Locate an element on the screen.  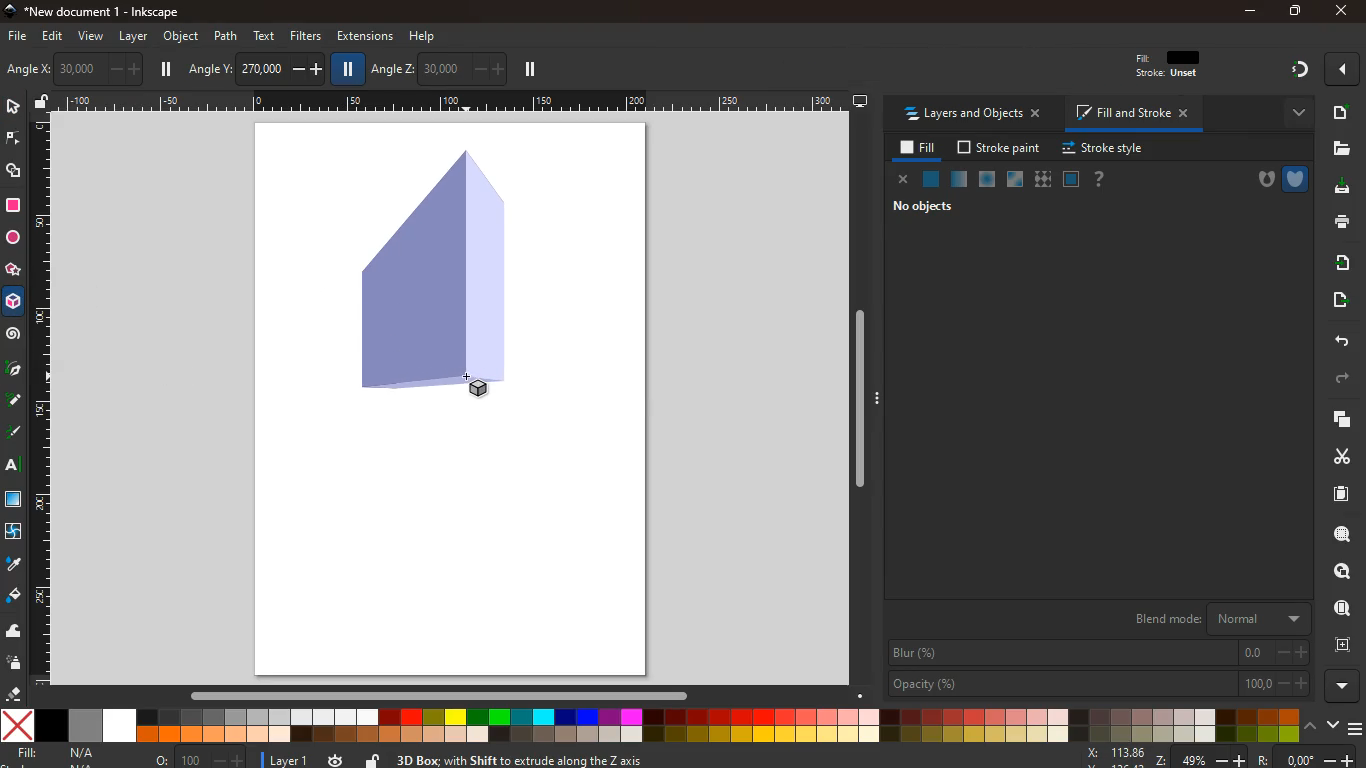
search is located at coordinates (1338, 536).